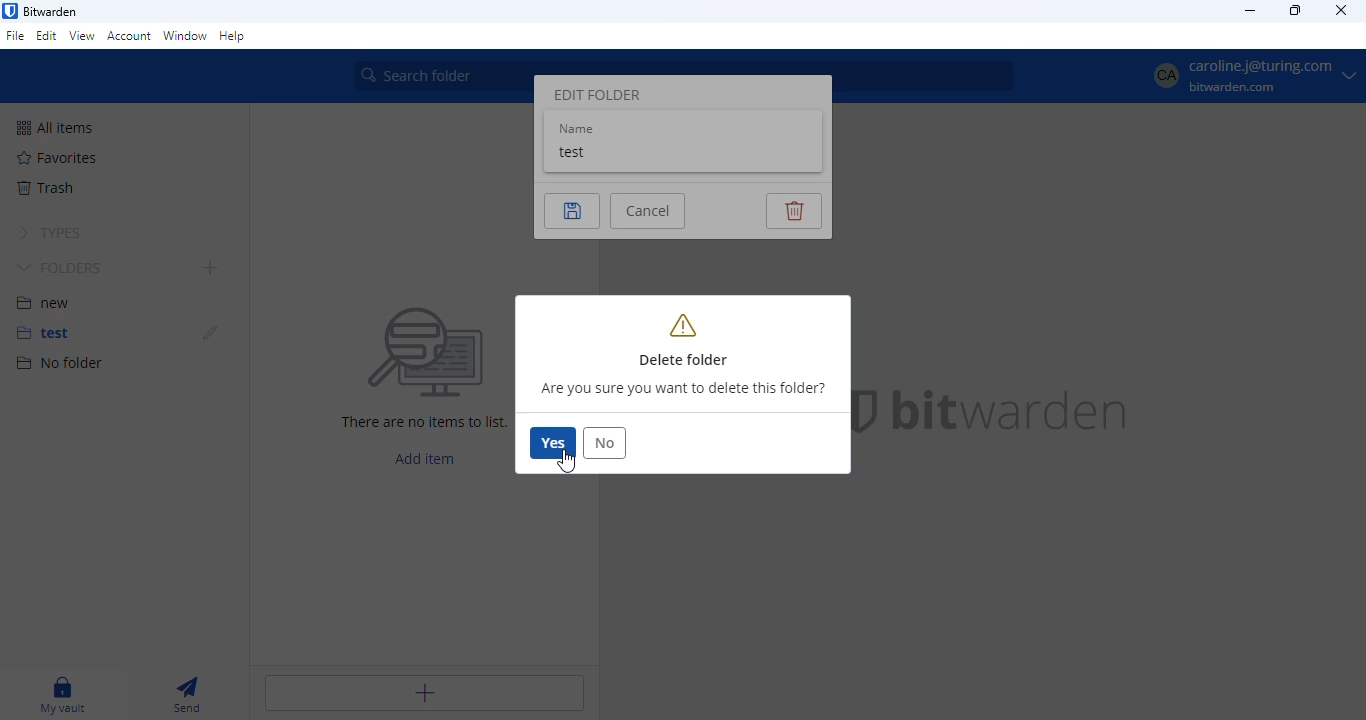 This screenshot has width=1366, height=720. What do you see at coordinates (684, 340) in the screenshot?
I see `delete folder` at bounding box center [684, 340].